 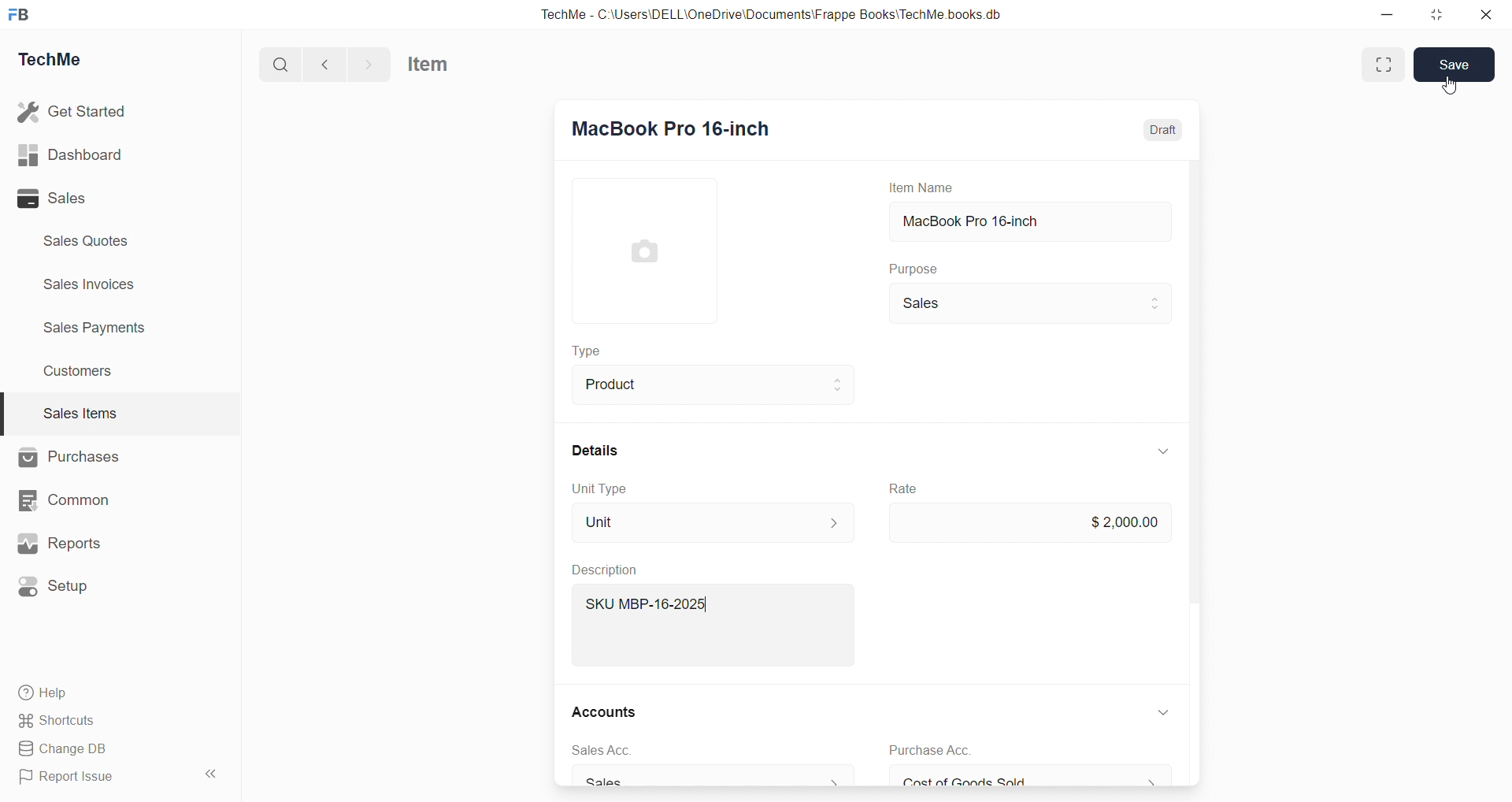 What do you see at coordinates (64, 748) in the screenshot?
I see `Change DB` at bounding box center [64, 748].